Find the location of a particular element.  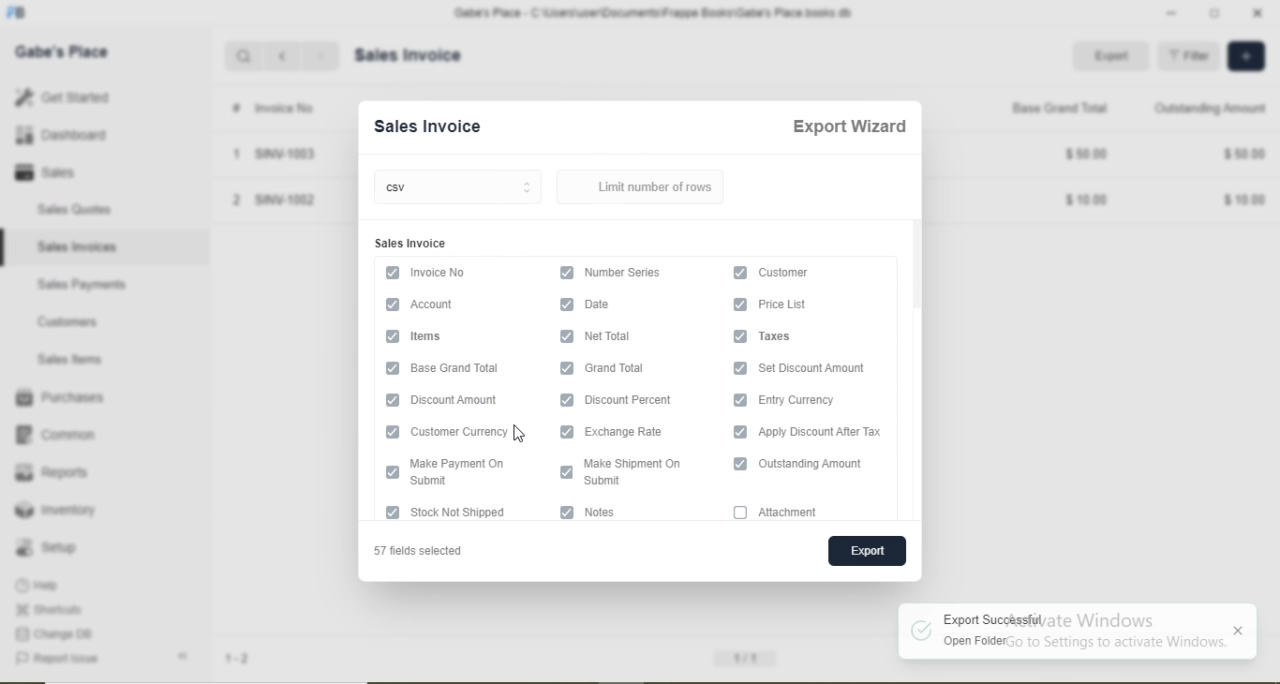

Change DB is located at coordinates (58, 634).